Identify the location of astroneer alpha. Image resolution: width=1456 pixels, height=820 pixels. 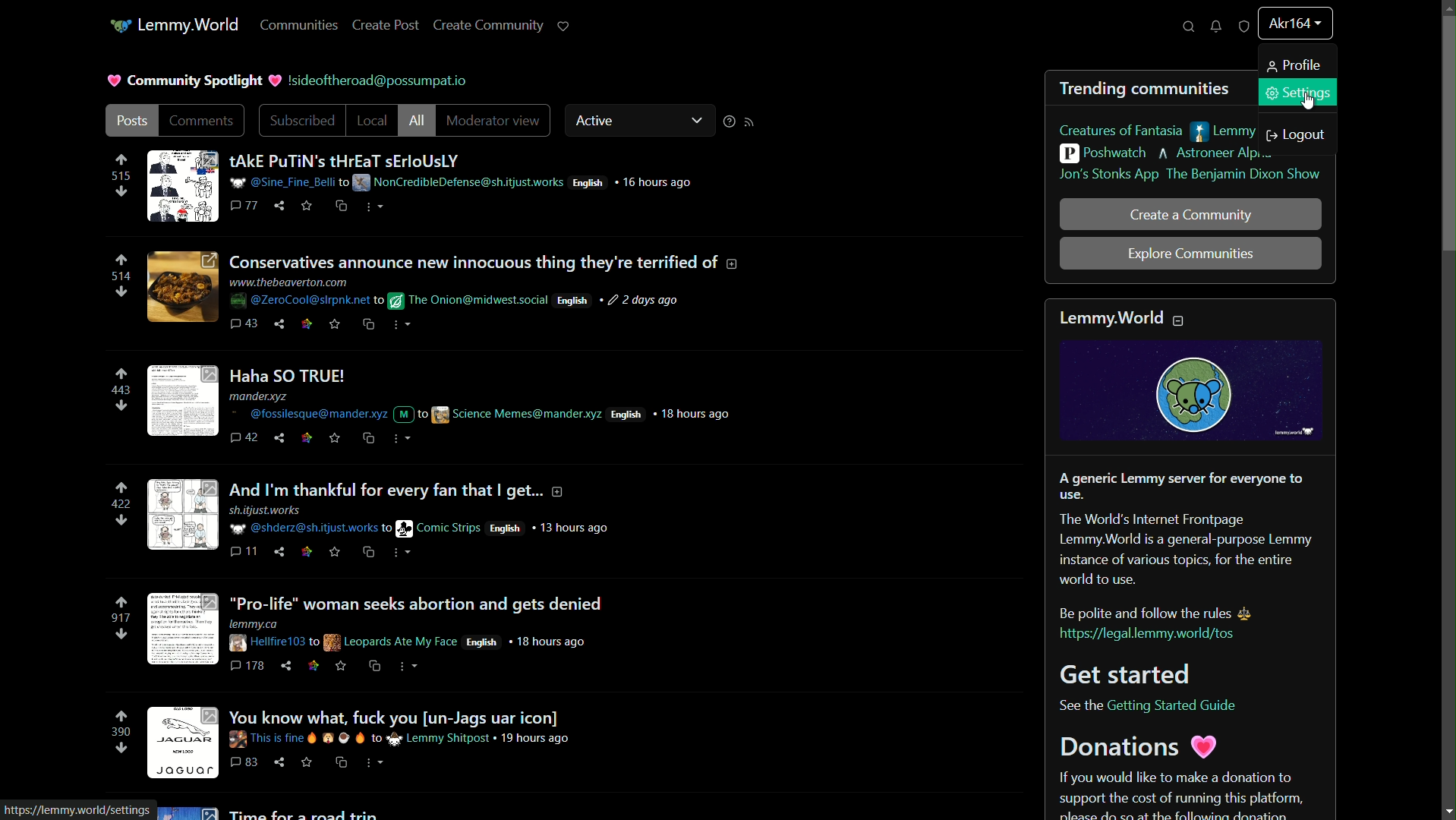
(1215, 154).